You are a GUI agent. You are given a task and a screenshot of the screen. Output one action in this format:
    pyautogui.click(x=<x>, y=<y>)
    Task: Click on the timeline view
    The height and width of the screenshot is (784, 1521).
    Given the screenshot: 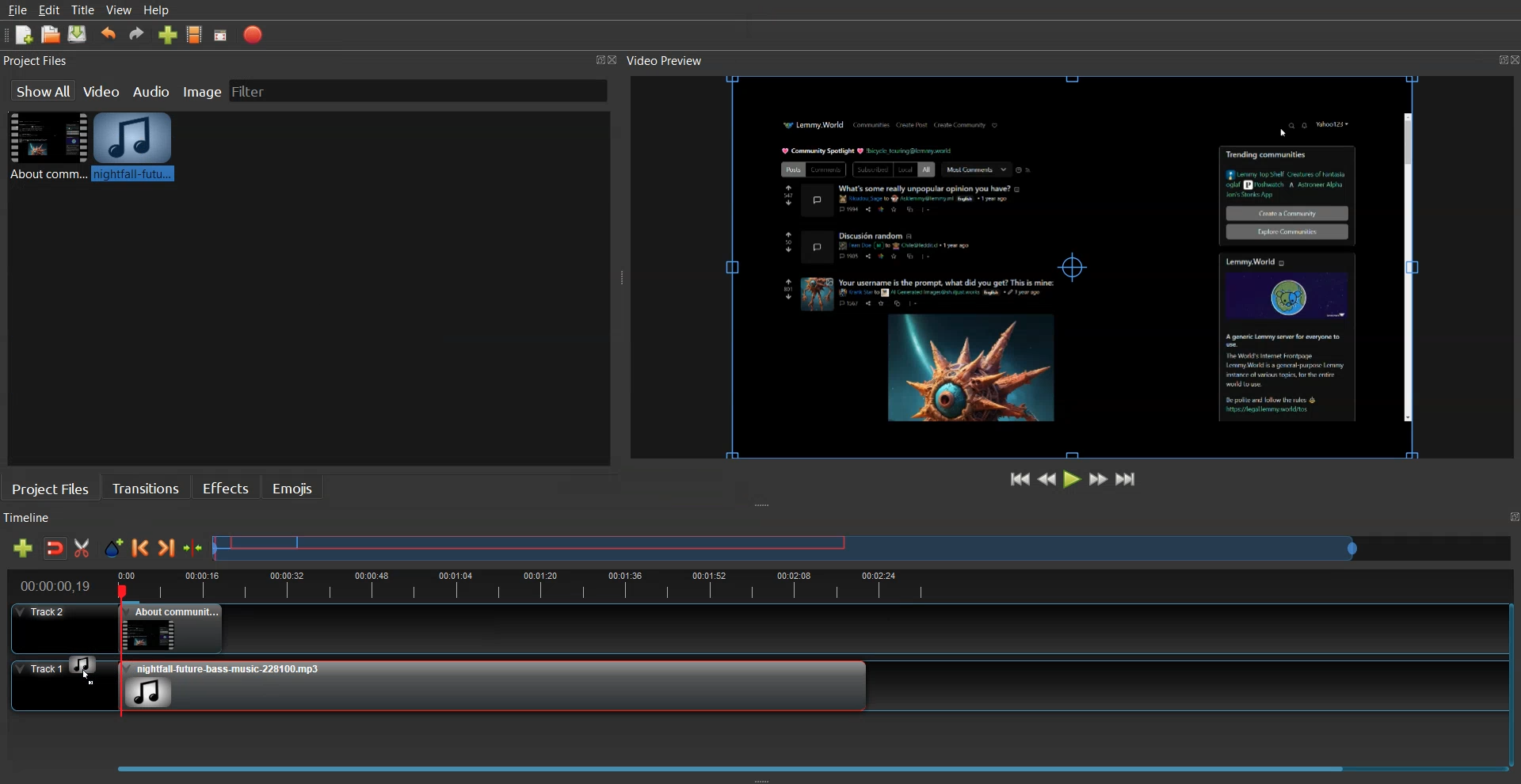 What is the action you would take?
    pyautogui.click(x=753, y=584)
    